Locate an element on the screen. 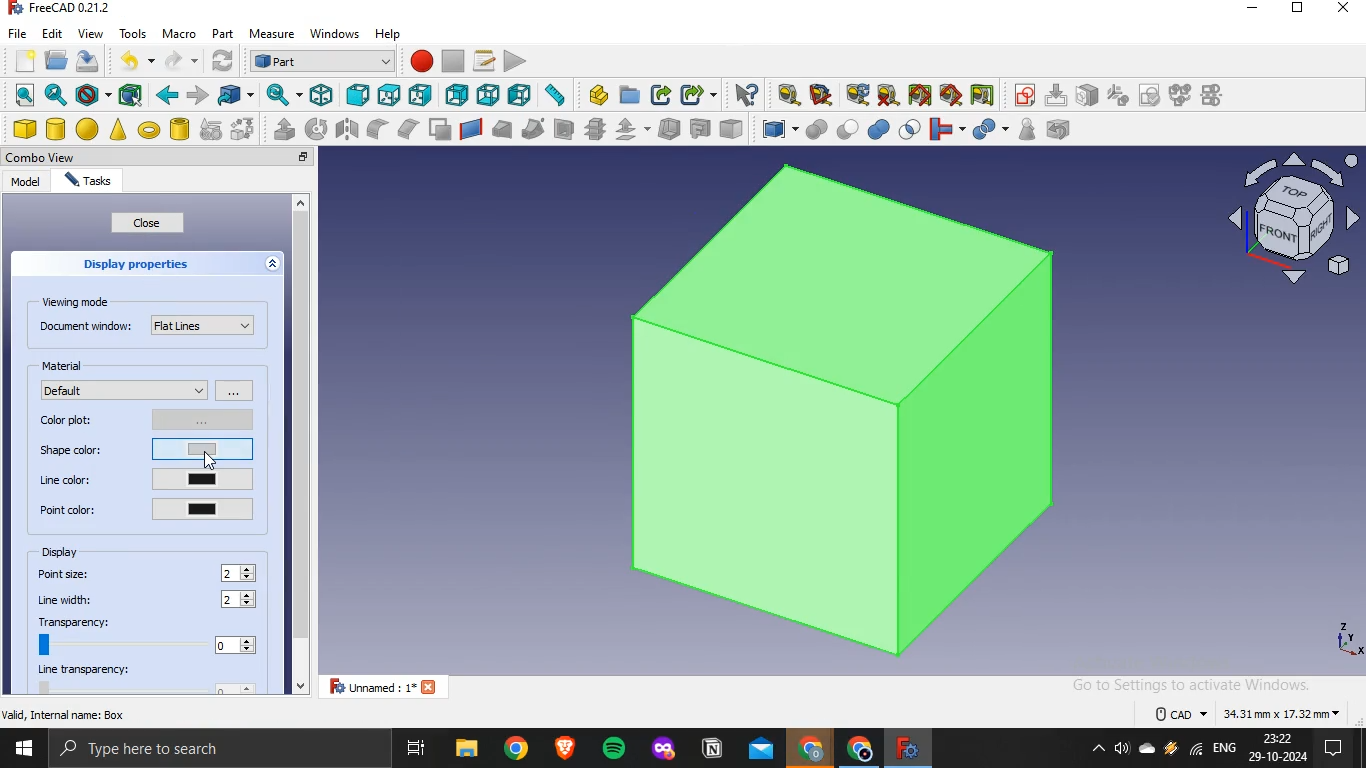 The image size is (1366, 768). google chrome is located at coordinates (856, 750).